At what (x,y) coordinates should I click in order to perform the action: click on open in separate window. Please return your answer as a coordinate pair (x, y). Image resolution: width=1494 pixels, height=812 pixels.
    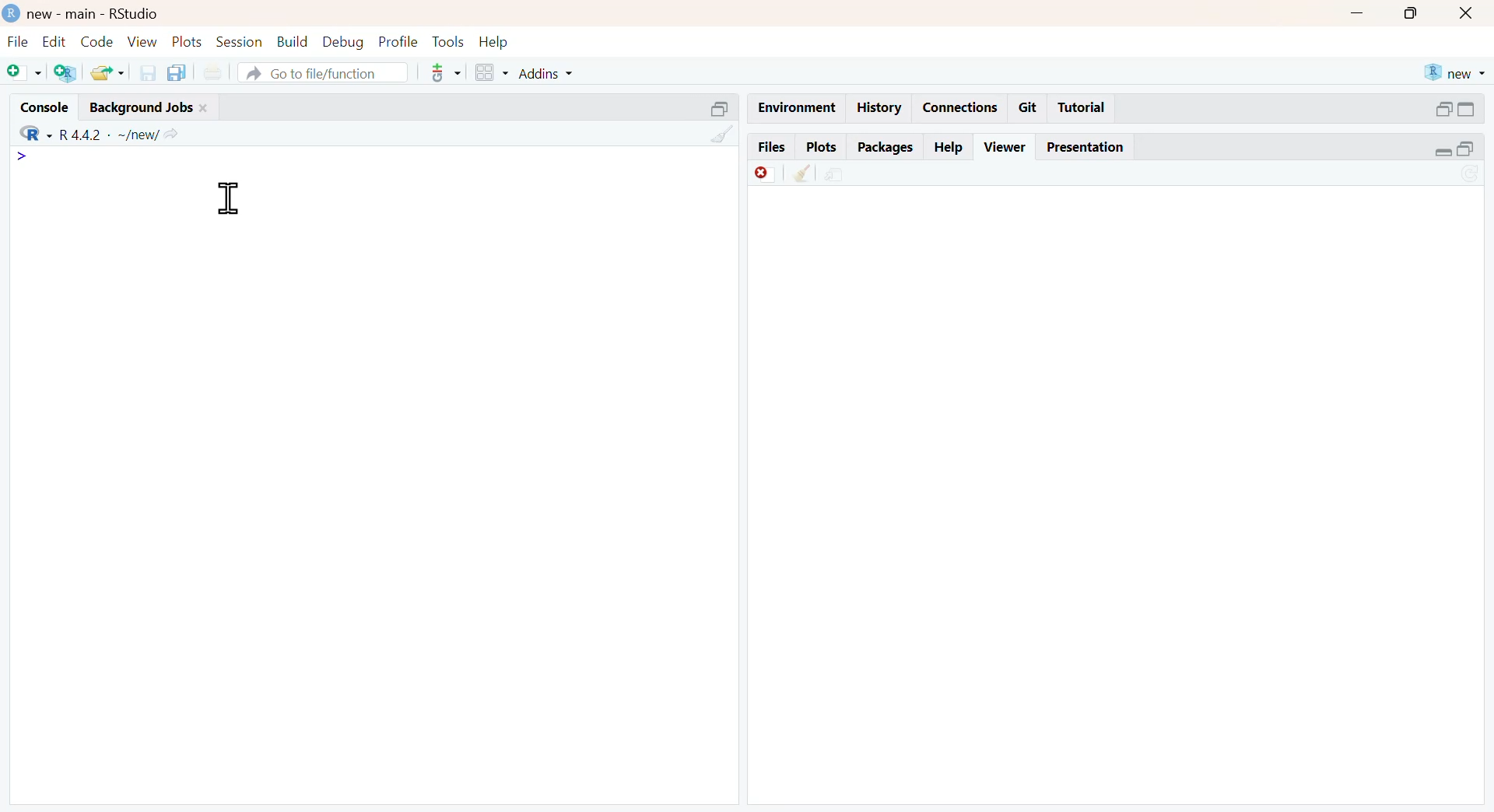
    Looking at the image, I should click on (1465, 148).